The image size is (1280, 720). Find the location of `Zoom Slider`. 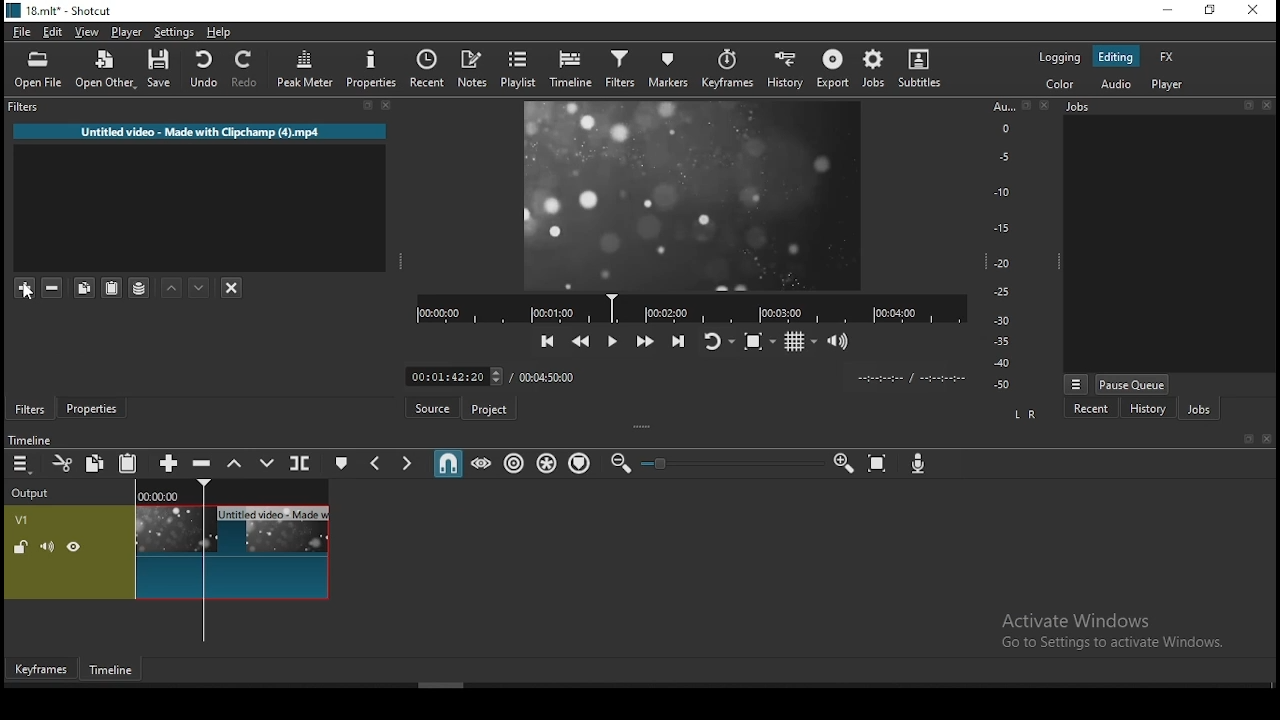

Zoom Slider is located at coordinates (732, 464).